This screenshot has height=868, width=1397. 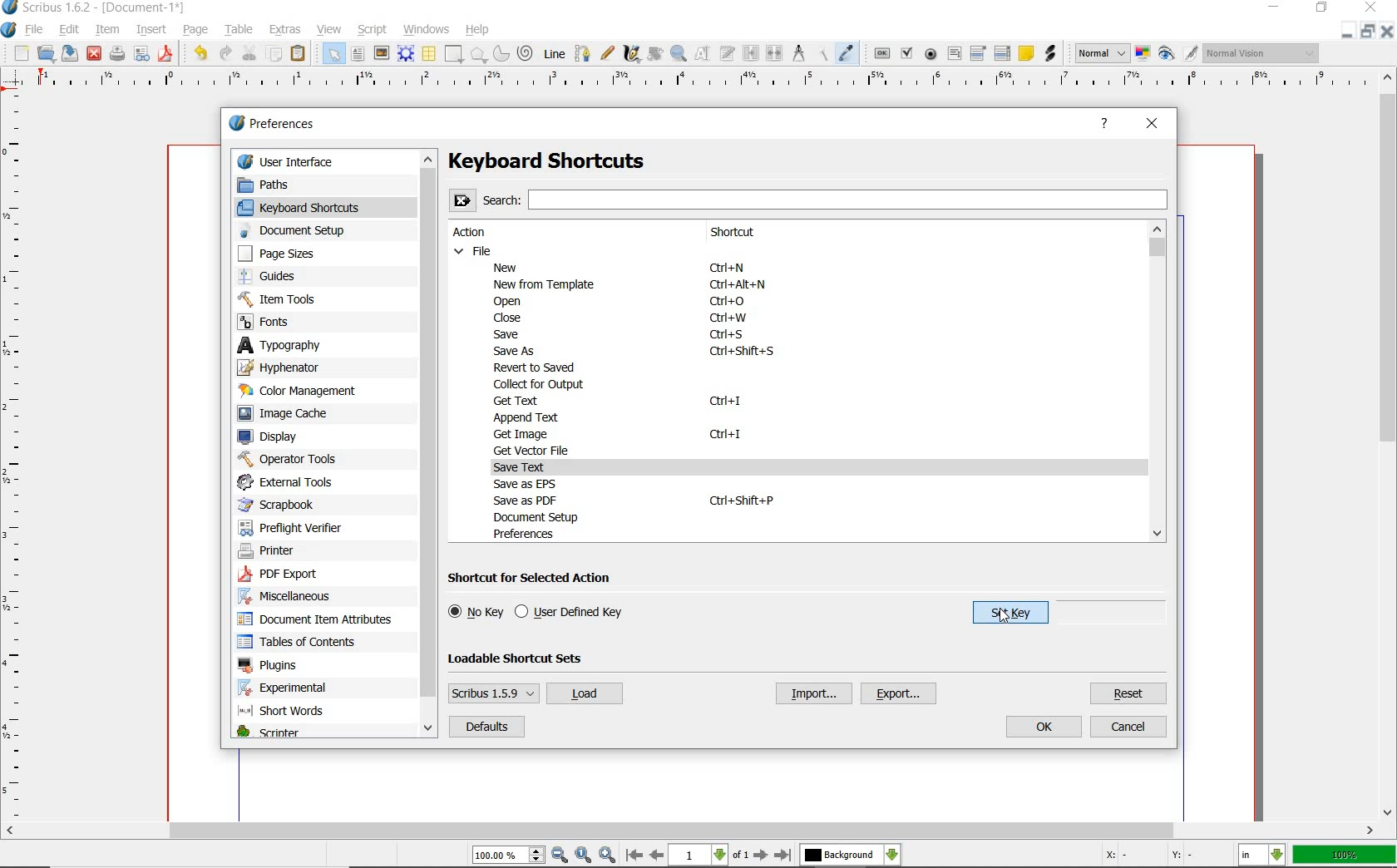 I want to click on scrollbar, so click(x=1389, y=445).